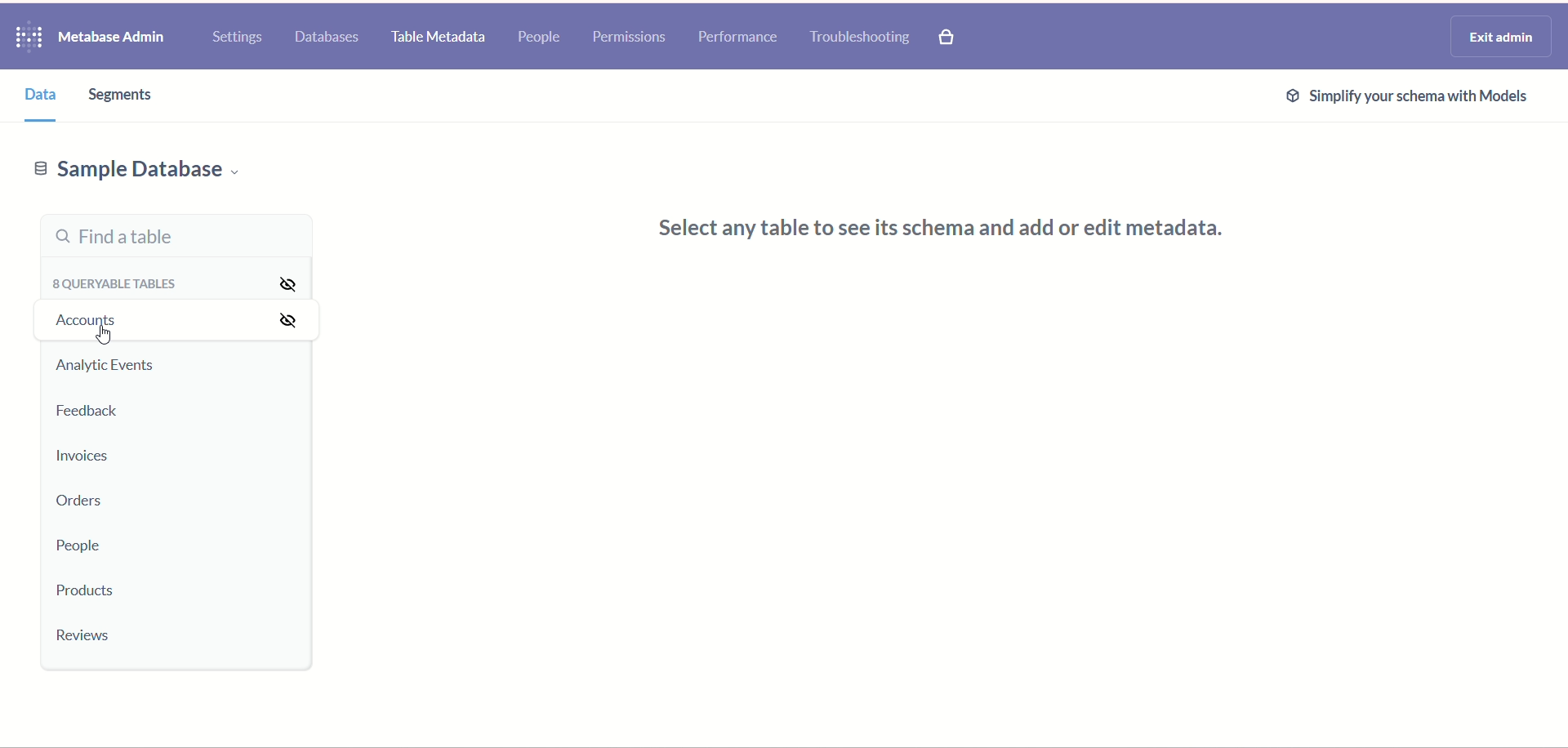 This screenshot has height=748, width=1568. What do you see at coordinates (291, 301) in the screenshot?
I see `visibility` at bounding box center [291, 301].